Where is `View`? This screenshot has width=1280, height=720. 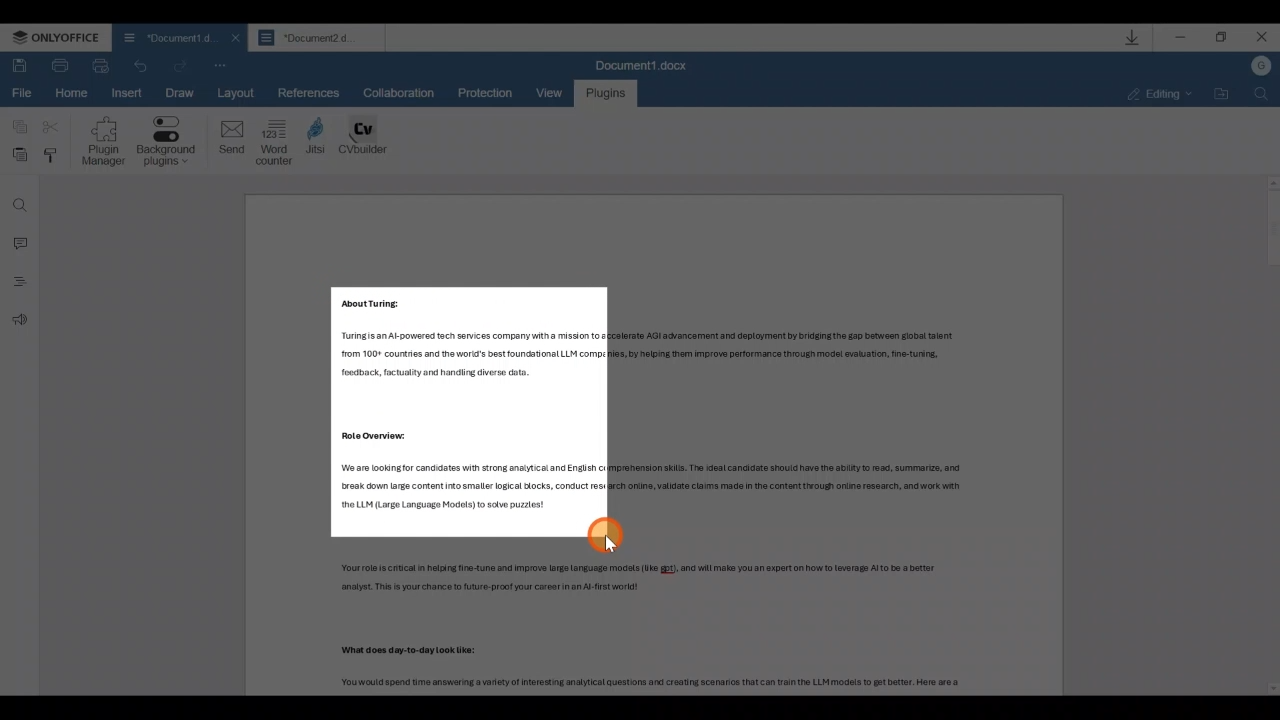 View is located at coordinates (554, 89).